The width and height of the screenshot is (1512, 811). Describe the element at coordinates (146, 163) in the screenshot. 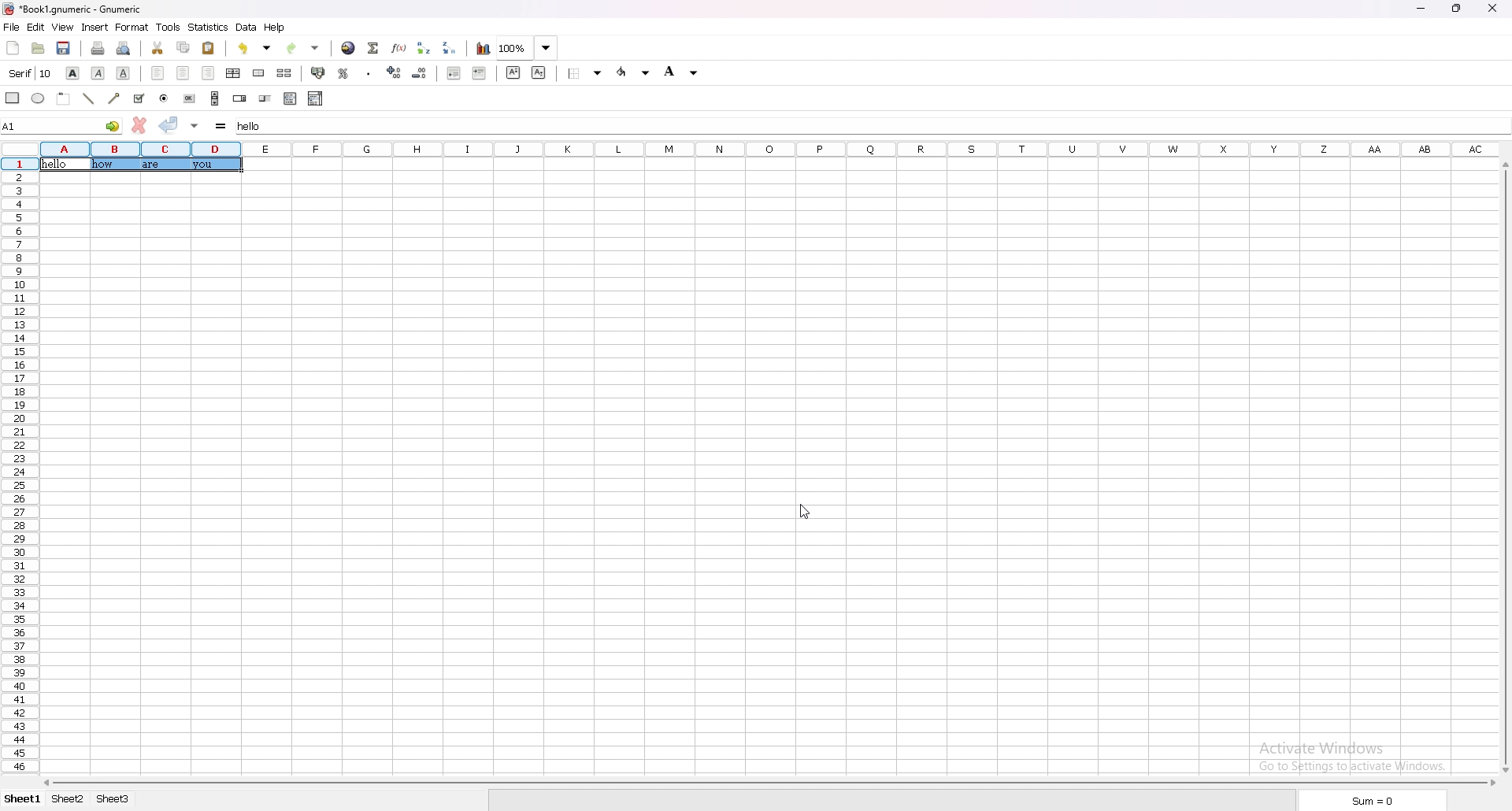

I see `texts` at that location.